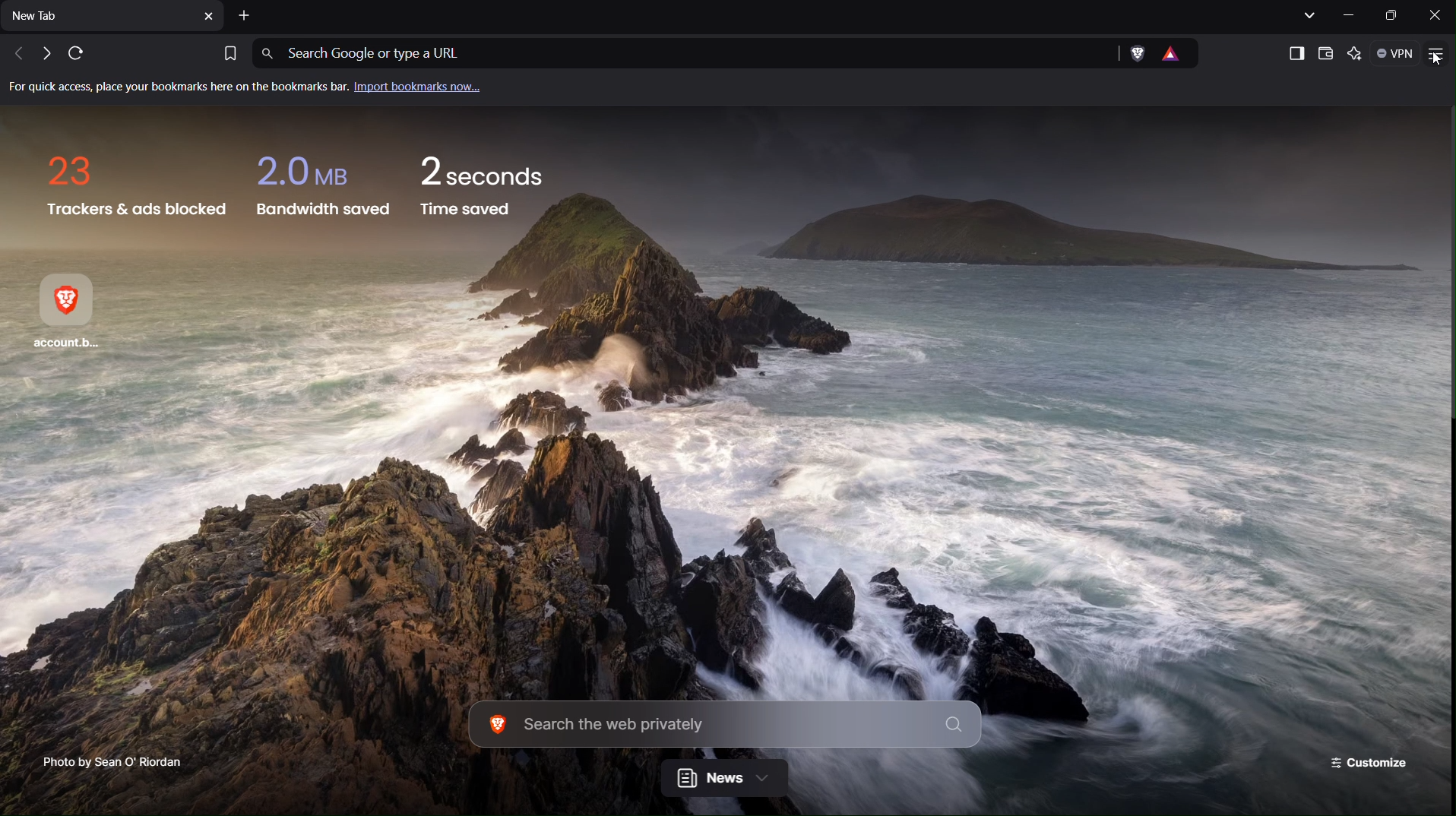  I want to click on Rewards, so click(1179, 54).